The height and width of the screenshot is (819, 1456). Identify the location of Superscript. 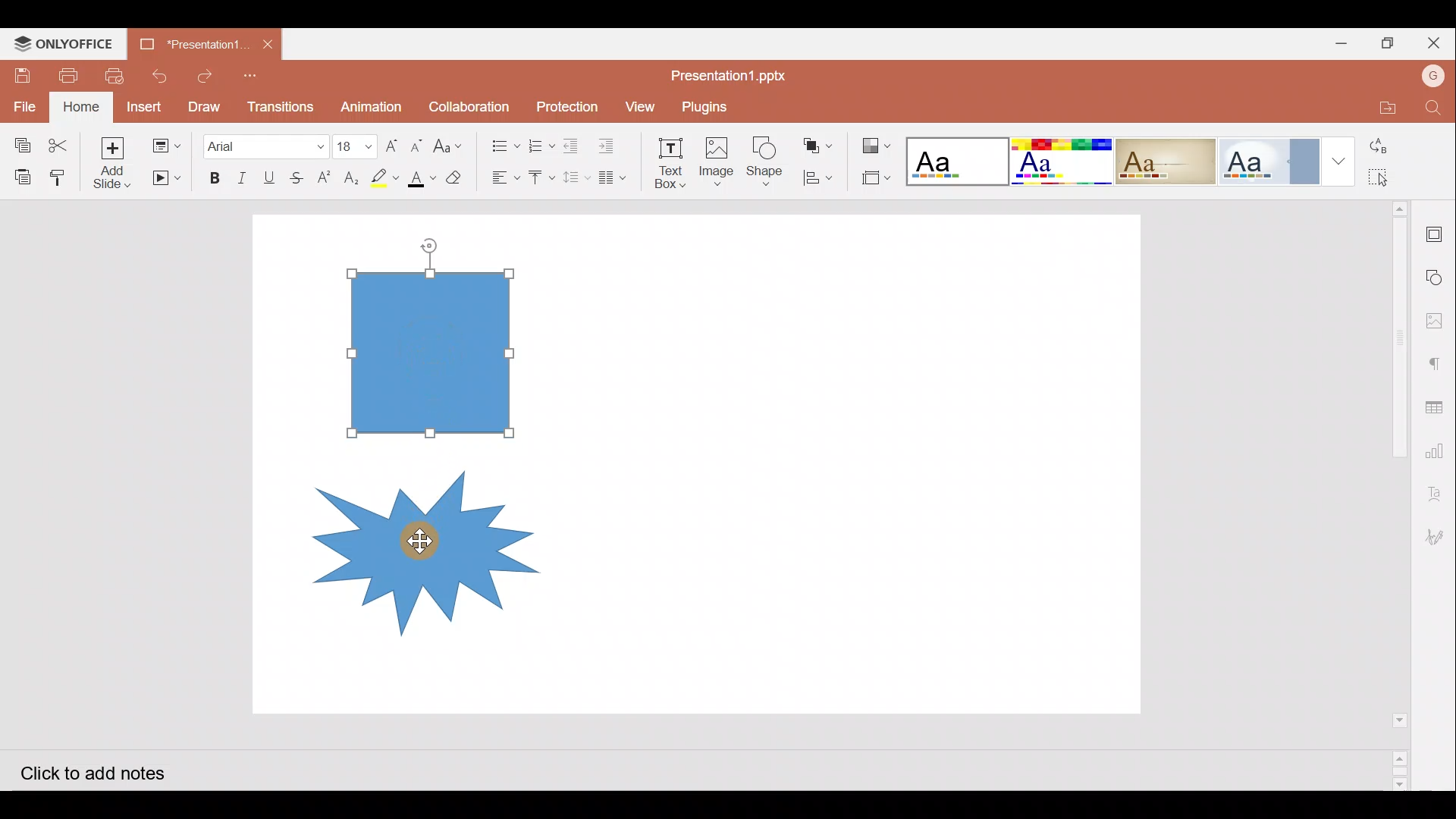
(323, 178).